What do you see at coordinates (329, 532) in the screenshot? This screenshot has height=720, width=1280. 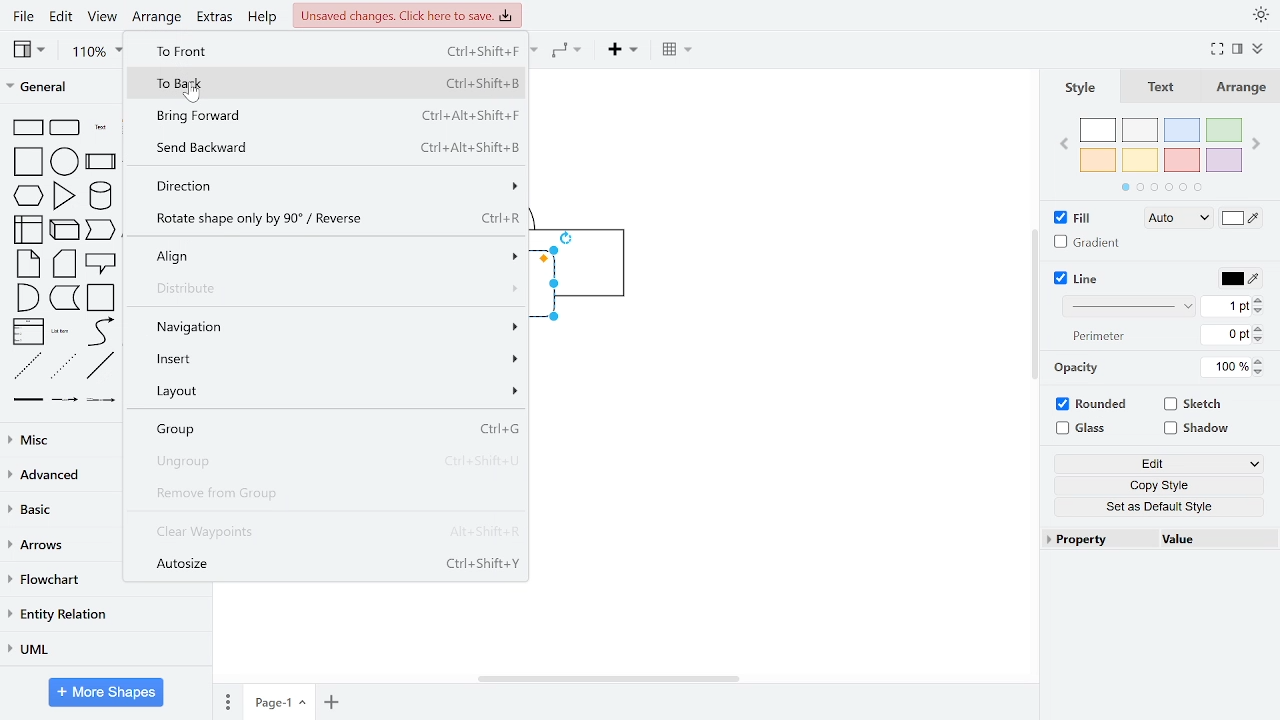 I see `clear waypoints` at bounding box center [329, 532].